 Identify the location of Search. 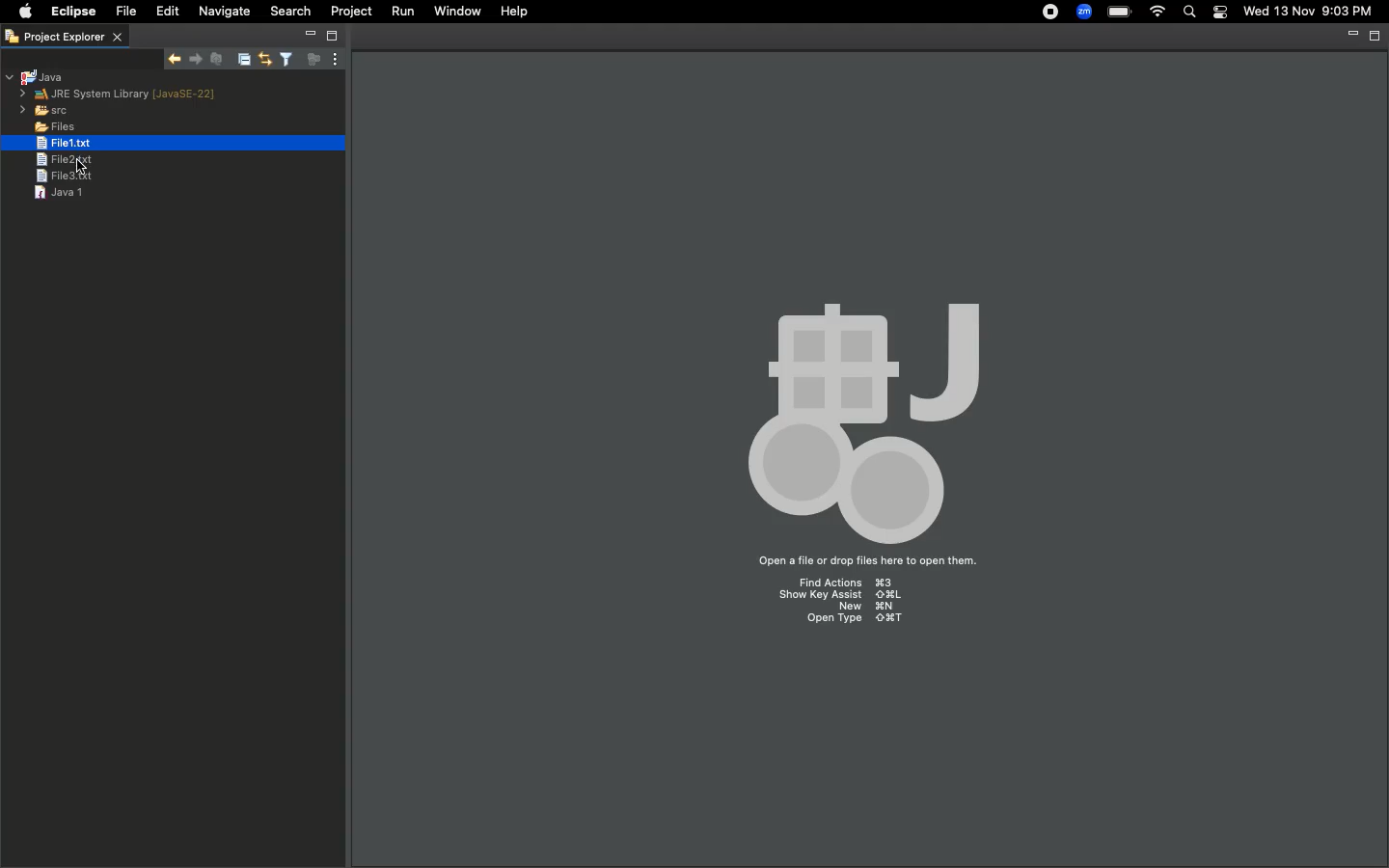
(291, 11).